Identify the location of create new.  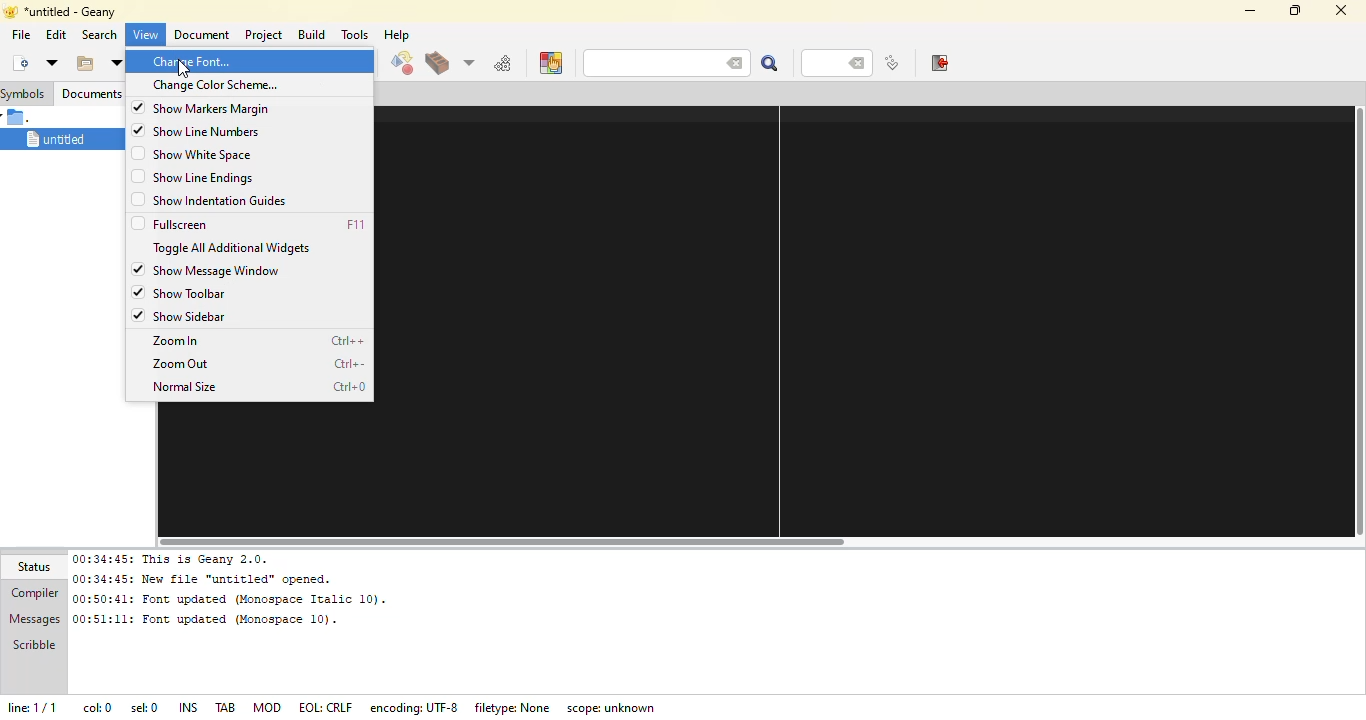
(19, 62).